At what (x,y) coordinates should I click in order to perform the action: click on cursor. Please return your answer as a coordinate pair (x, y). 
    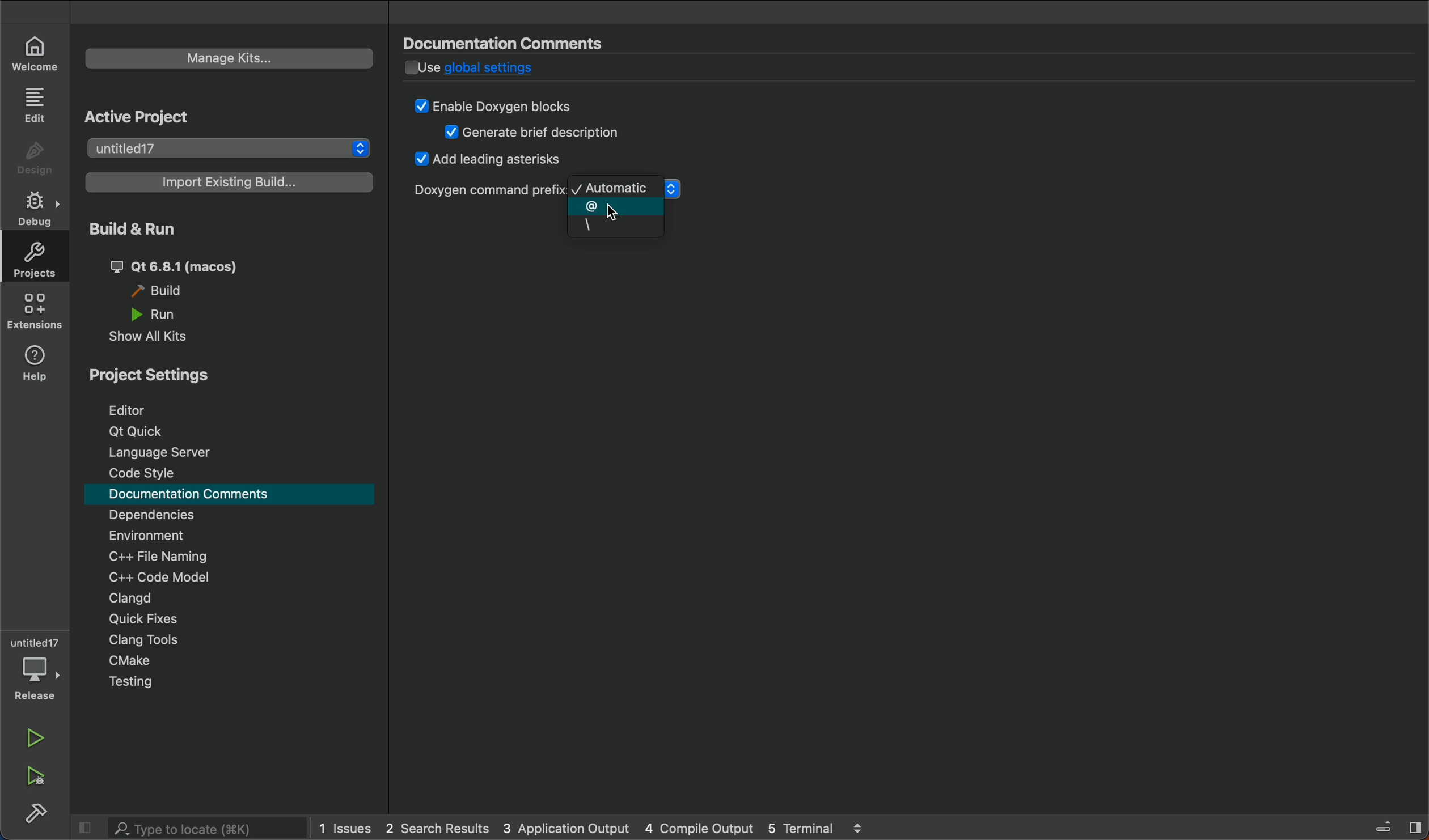
    Looking at the image, I should click on (614, 215).